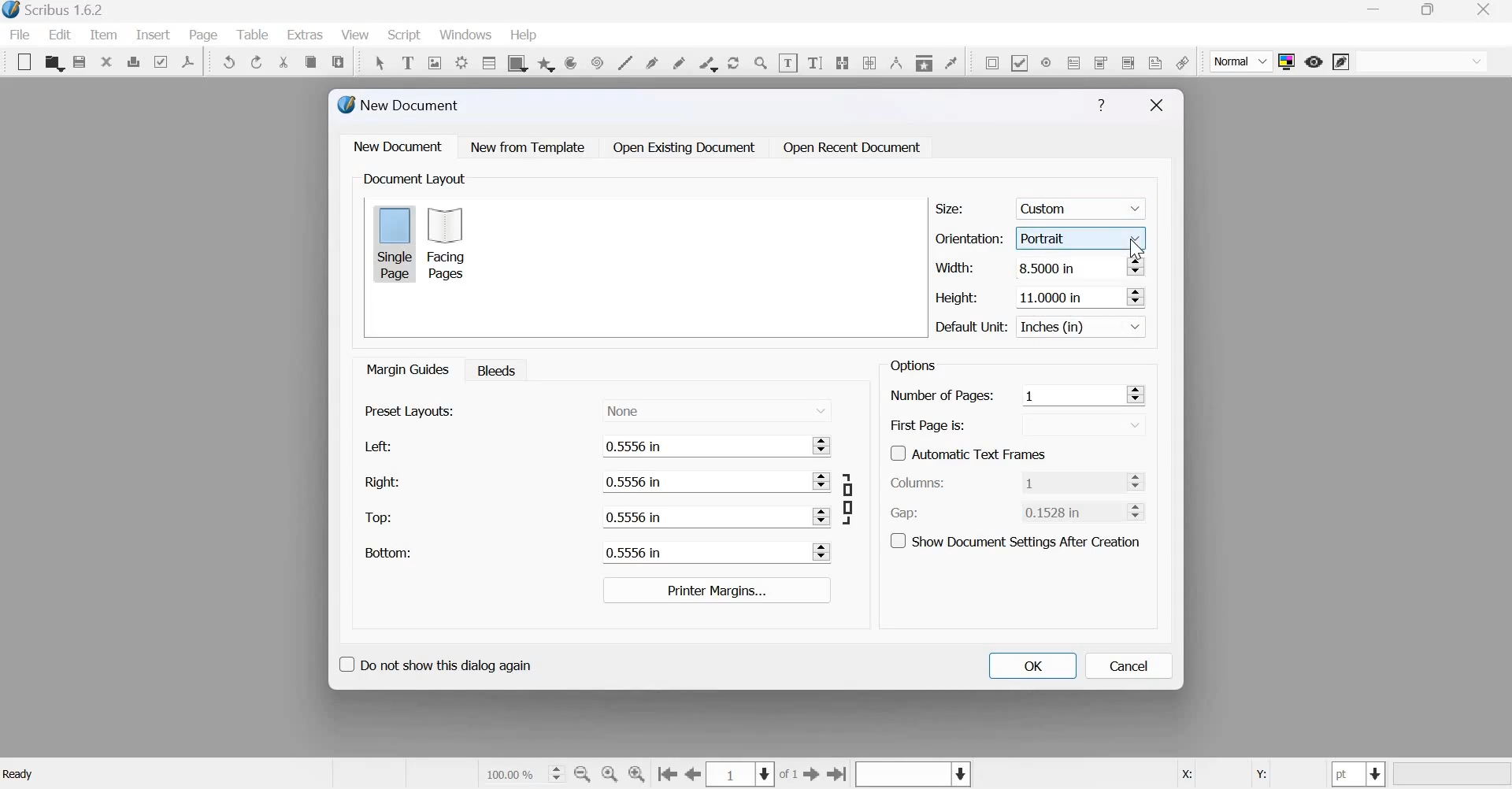 The width and height of the screenshot is (1512, 789). Describe the element at coordinates (524, 35) in the screenshot. I see `help` at that location.